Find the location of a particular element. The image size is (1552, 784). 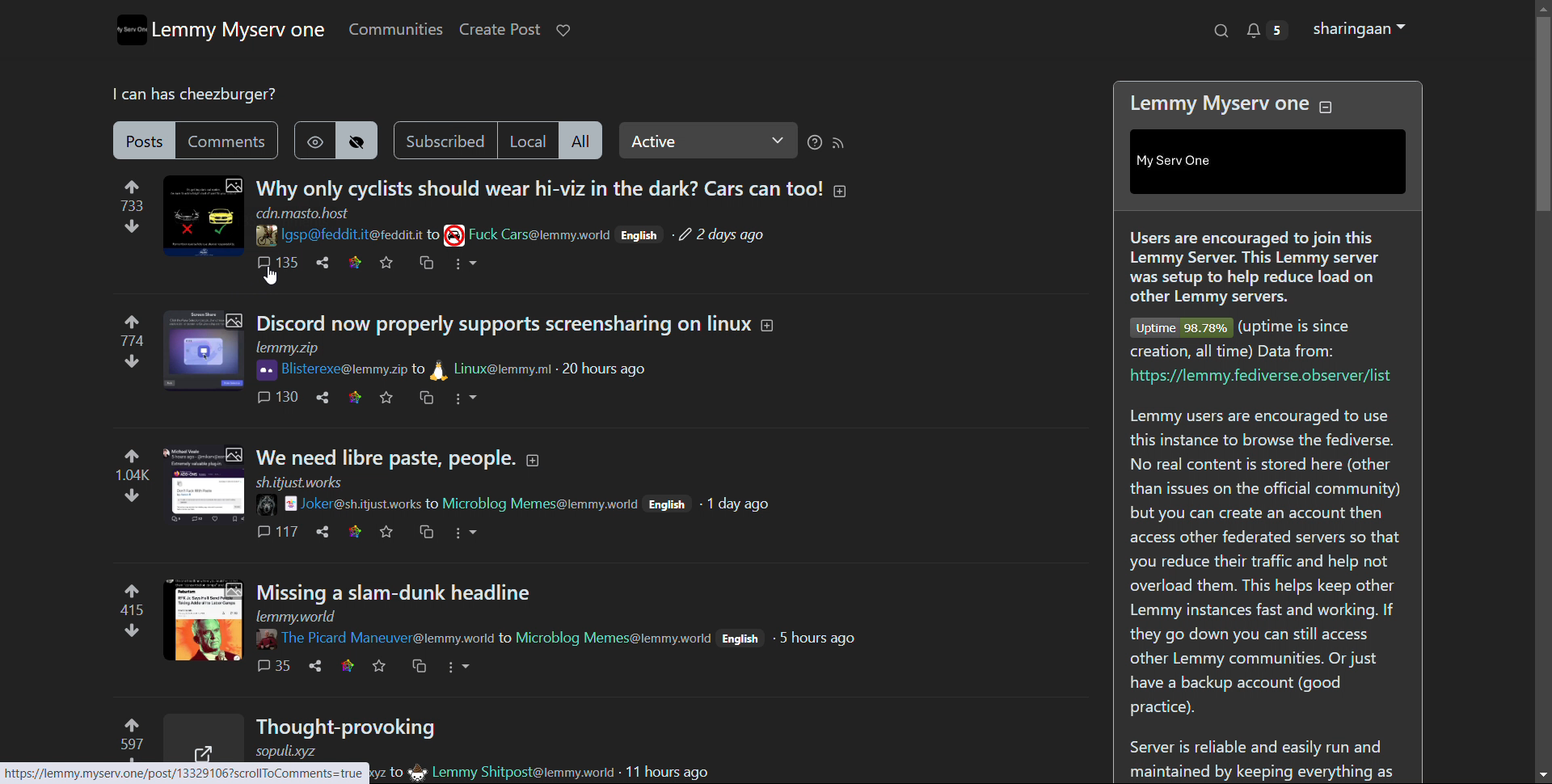

share is located at coordinates (323, 398).